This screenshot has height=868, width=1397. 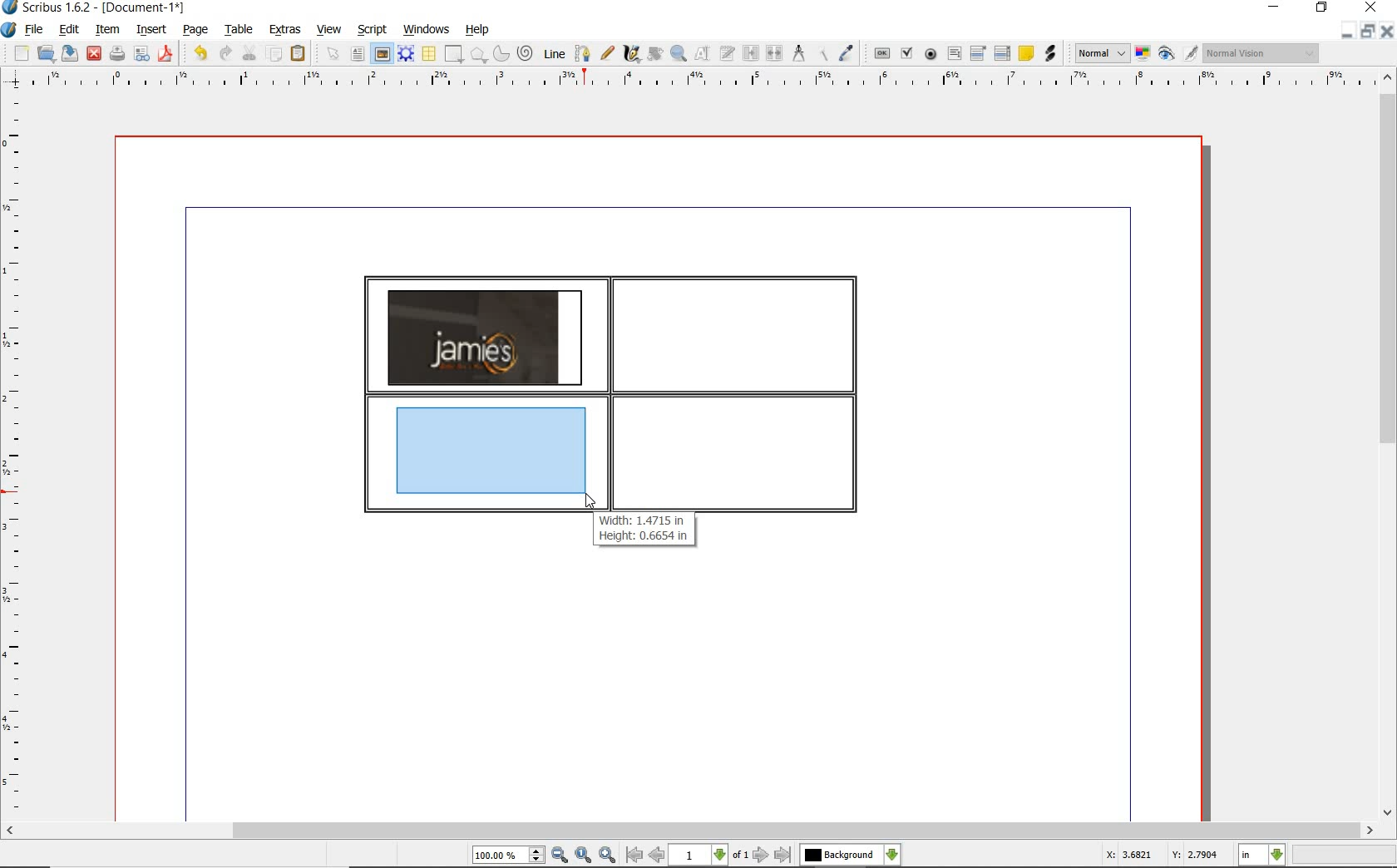 I want to click on save as pdf, so click(x=165, y=53).